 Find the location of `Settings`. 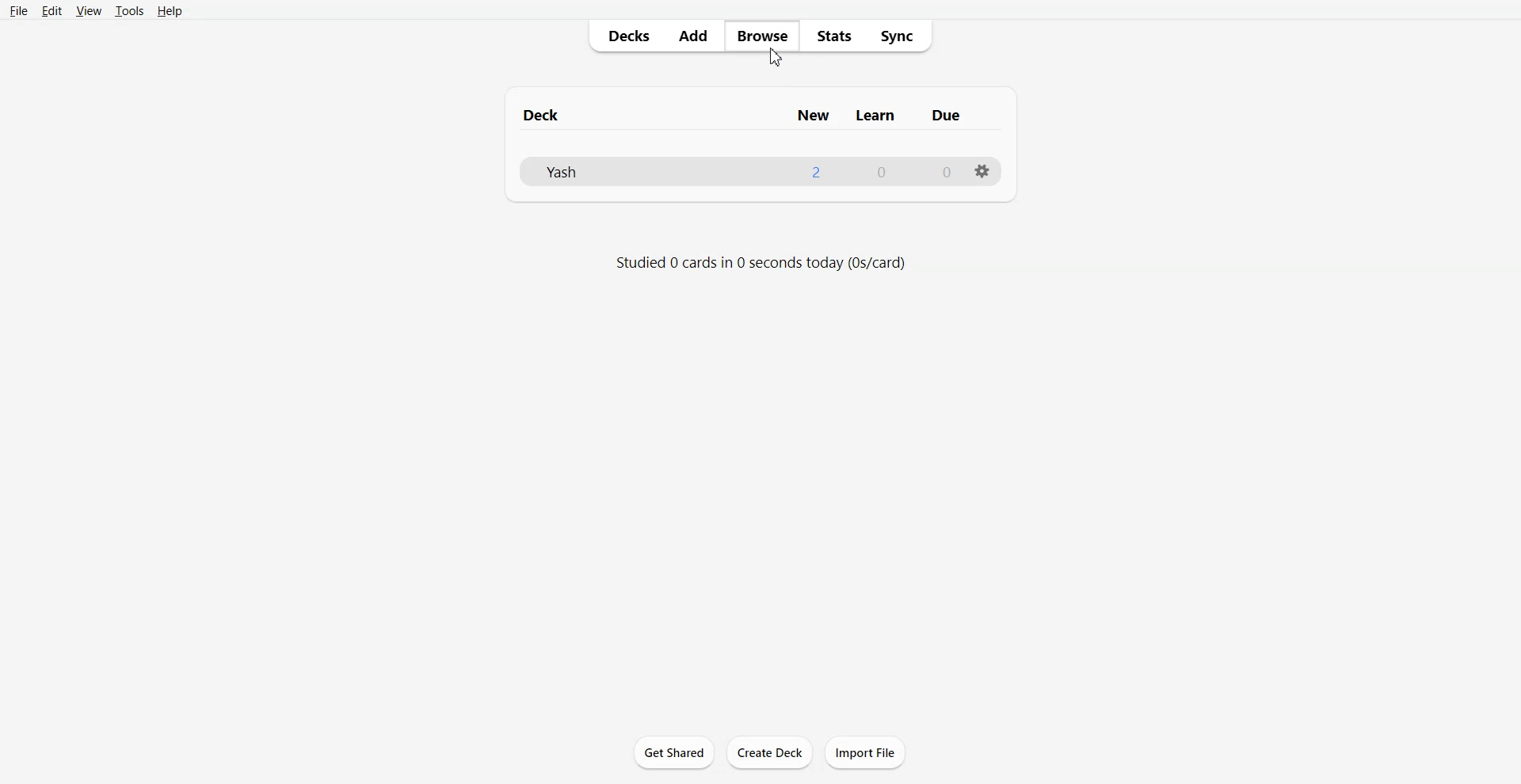

Settings is located at coordinates (985, 172).